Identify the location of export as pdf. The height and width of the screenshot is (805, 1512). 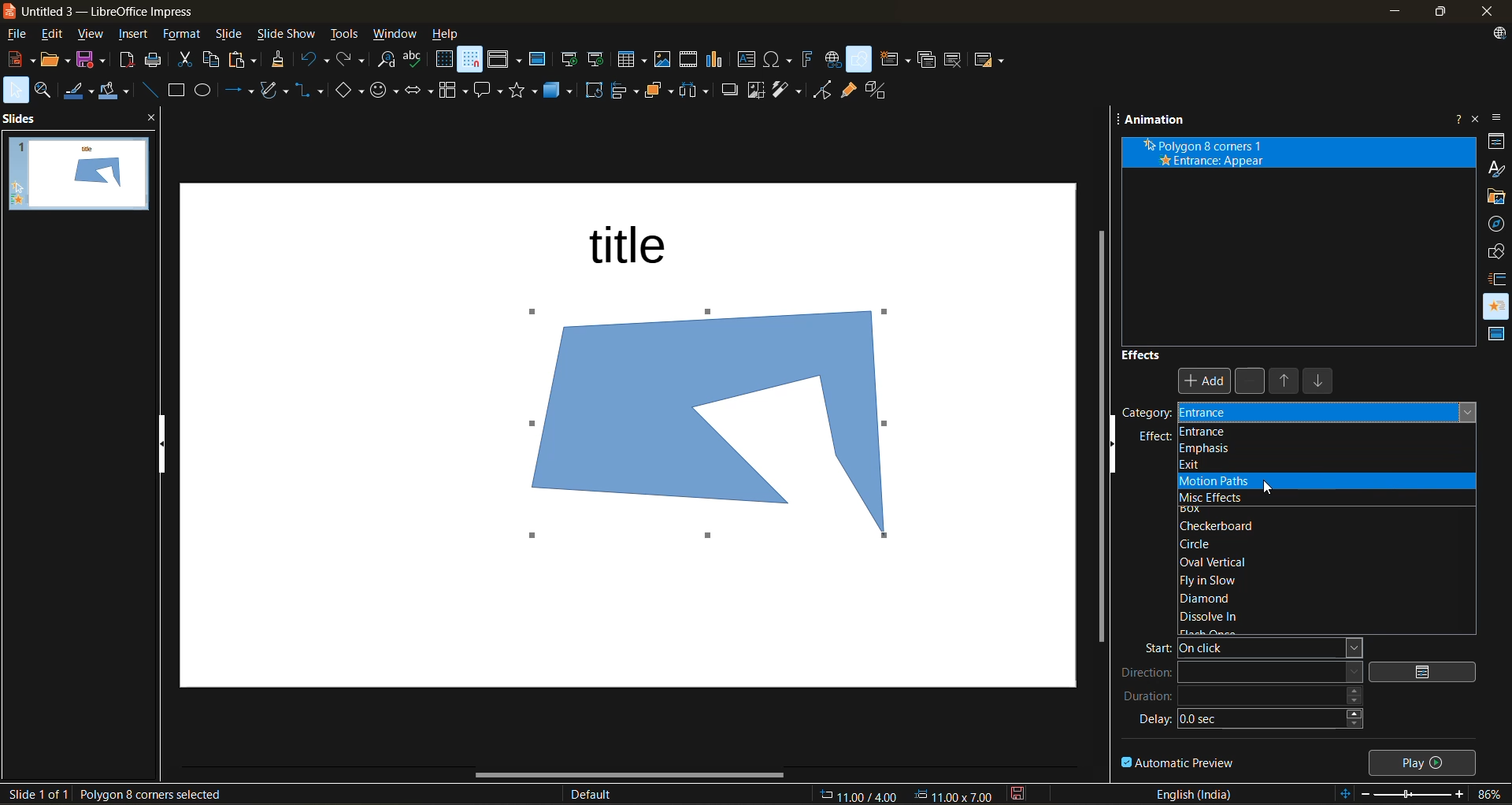
(125, 59).